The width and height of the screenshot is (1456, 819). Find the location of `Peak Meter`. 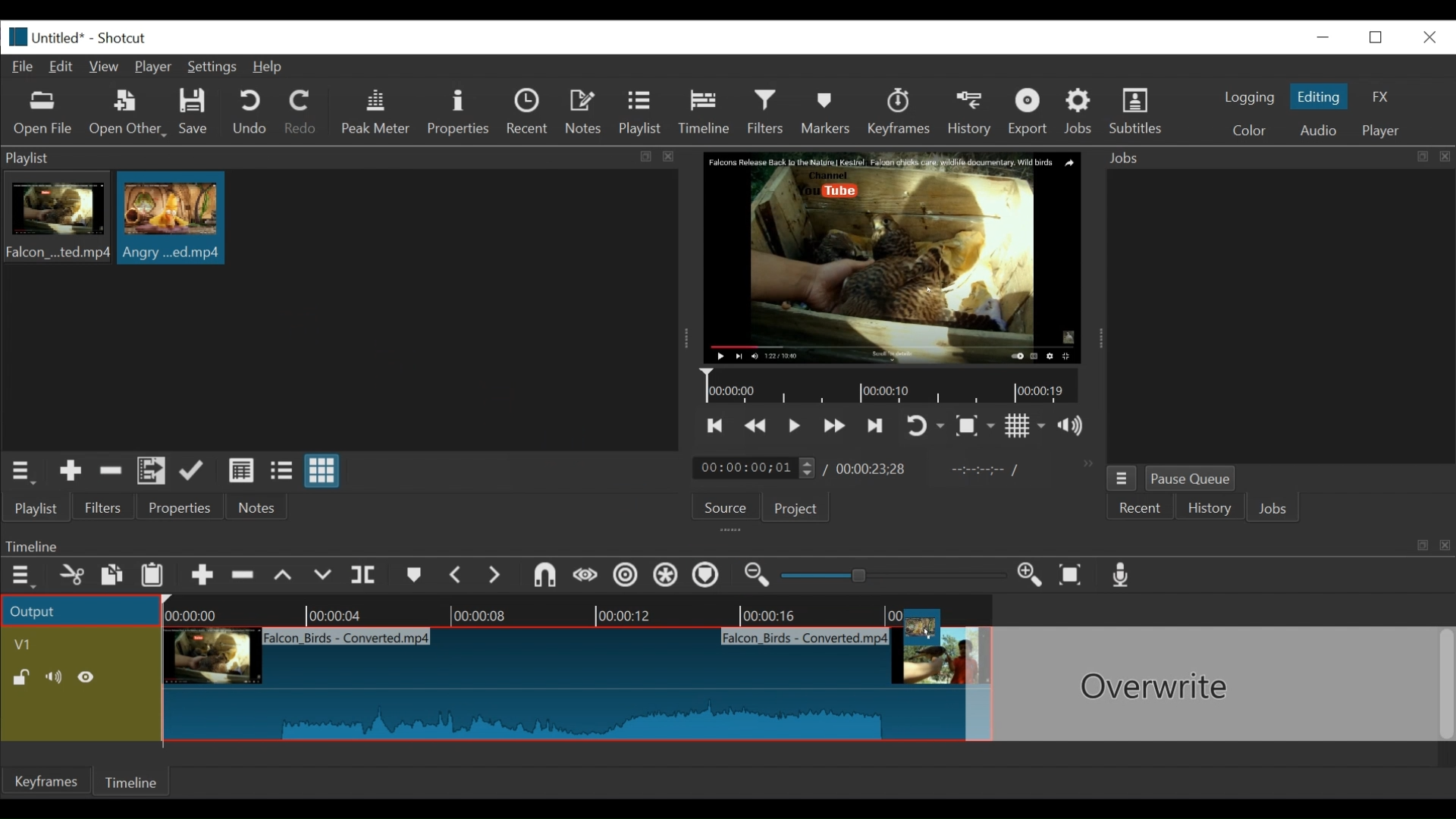

Peak Meter is located at coordinates (378, 112).